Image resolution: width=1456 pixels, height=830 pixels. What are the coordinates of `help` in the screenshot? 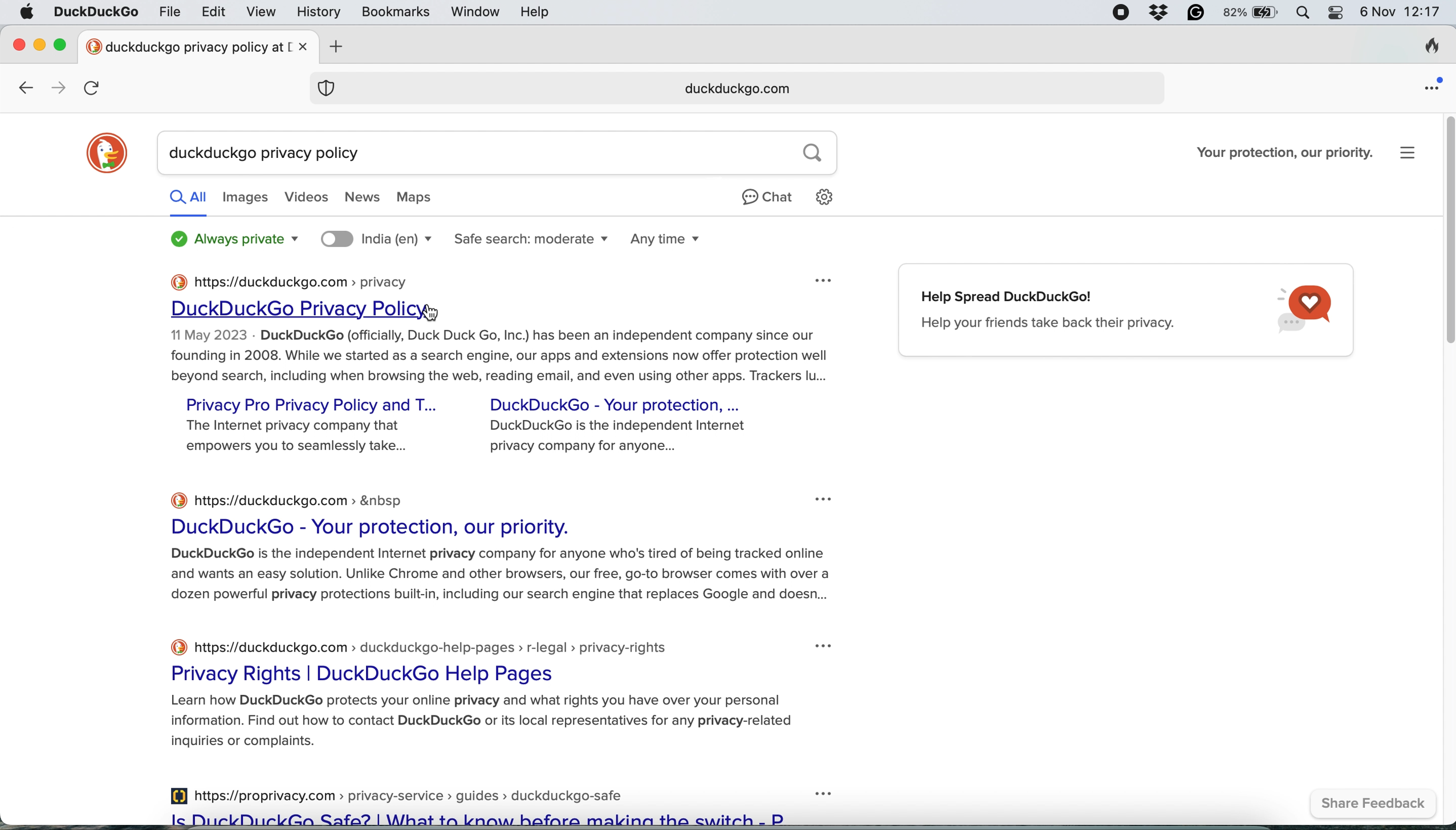 It's located at (534, 13).